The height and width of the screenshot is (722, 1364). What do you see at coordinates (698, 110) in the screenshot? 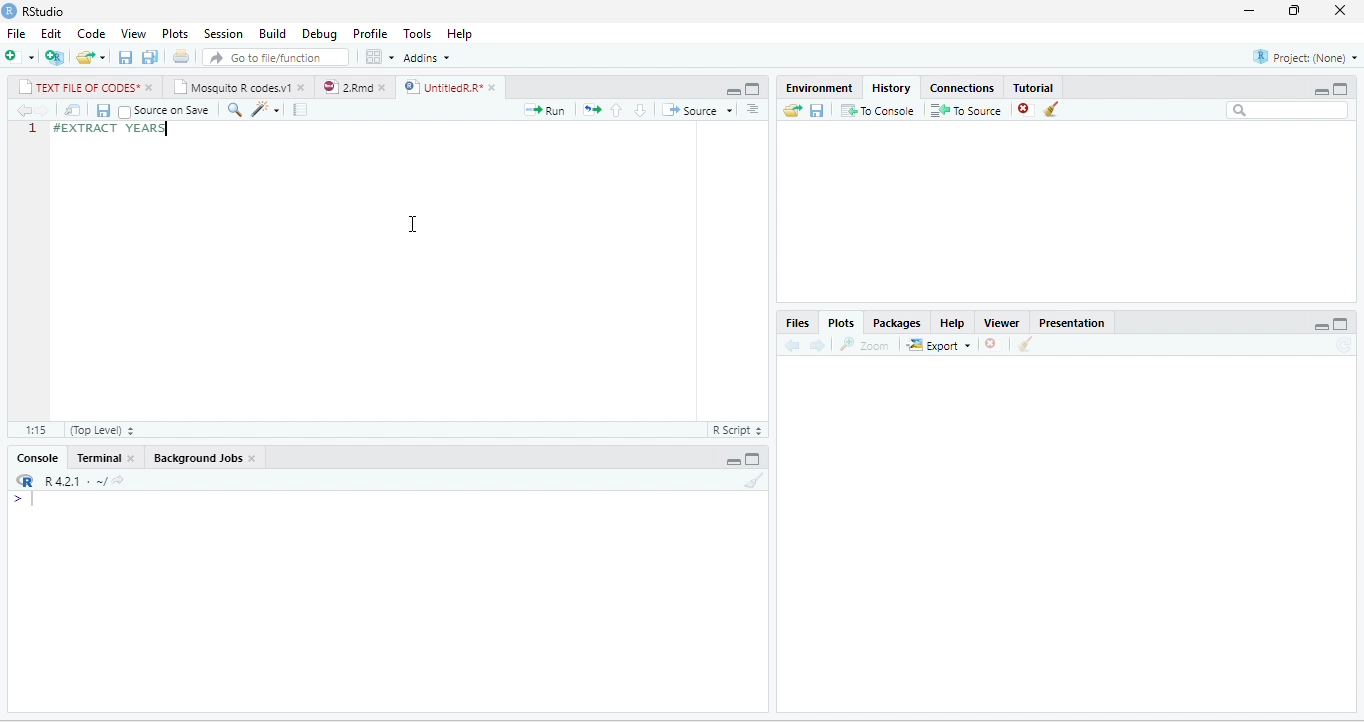
I see `Source` at bounding box center [698, 110].